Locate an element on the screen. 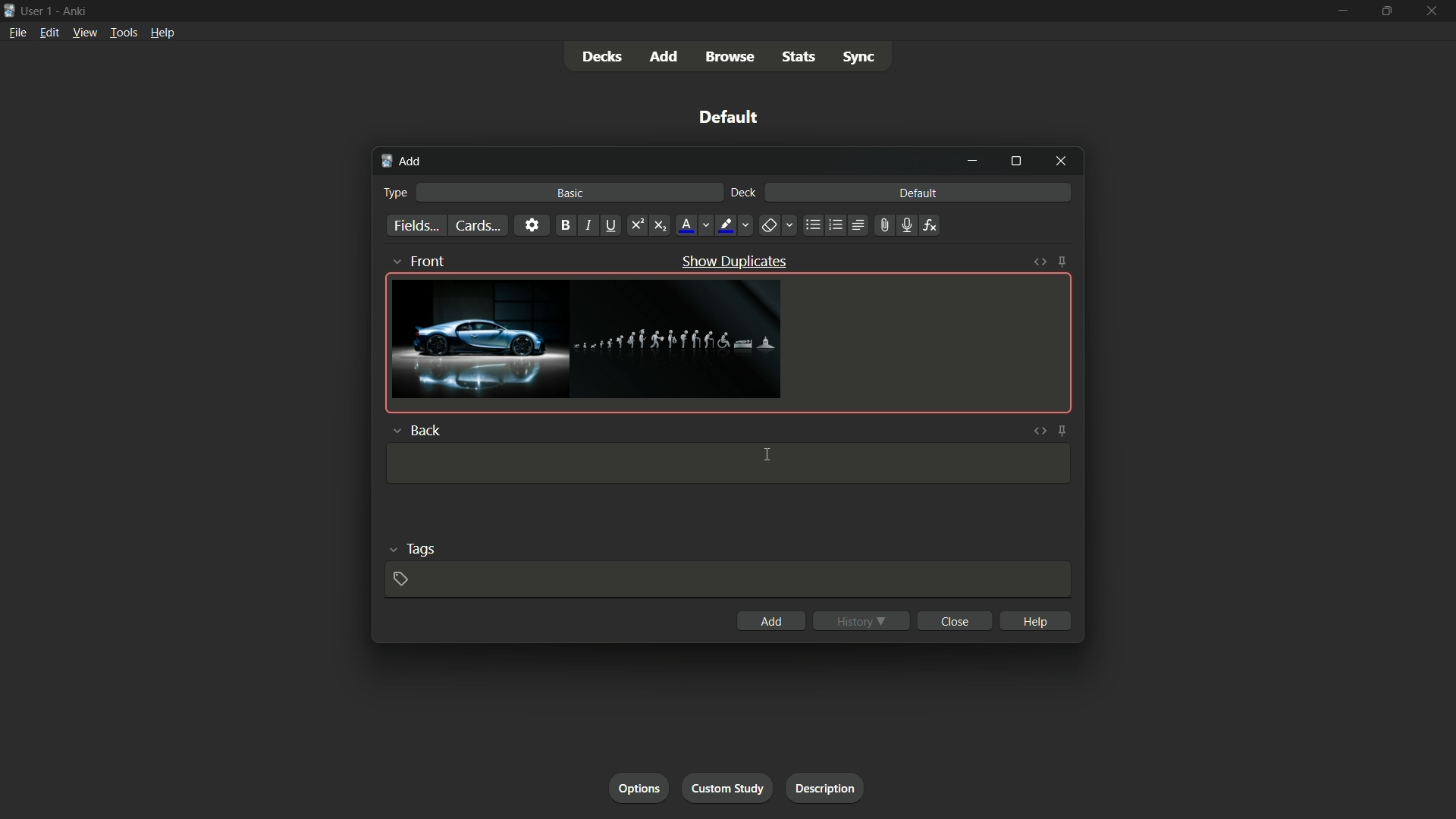  user-1 is located at coordinates (37, 9).